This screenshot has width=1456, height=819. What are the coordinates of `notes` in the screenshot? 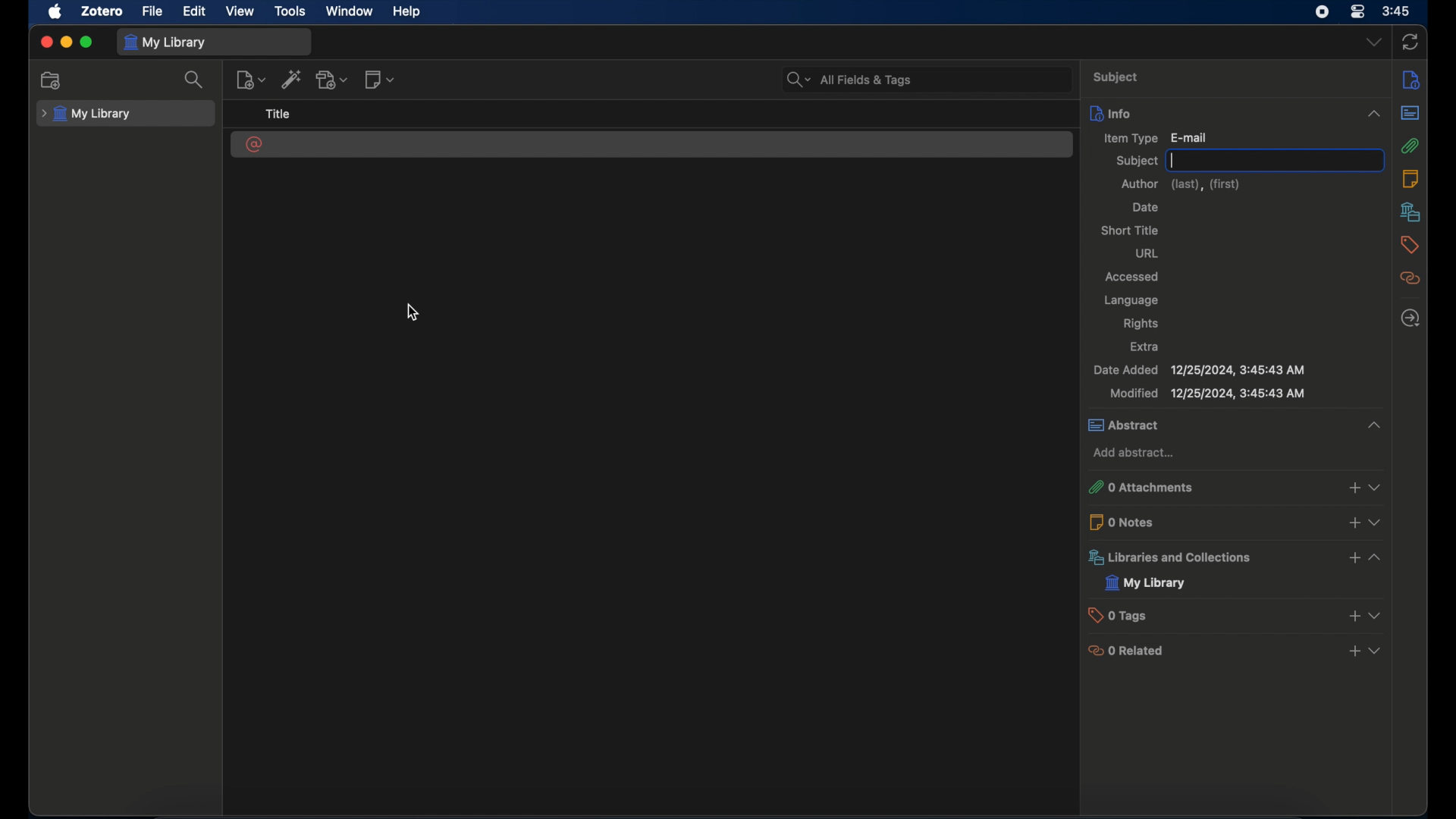 It's located at (1410, 179).